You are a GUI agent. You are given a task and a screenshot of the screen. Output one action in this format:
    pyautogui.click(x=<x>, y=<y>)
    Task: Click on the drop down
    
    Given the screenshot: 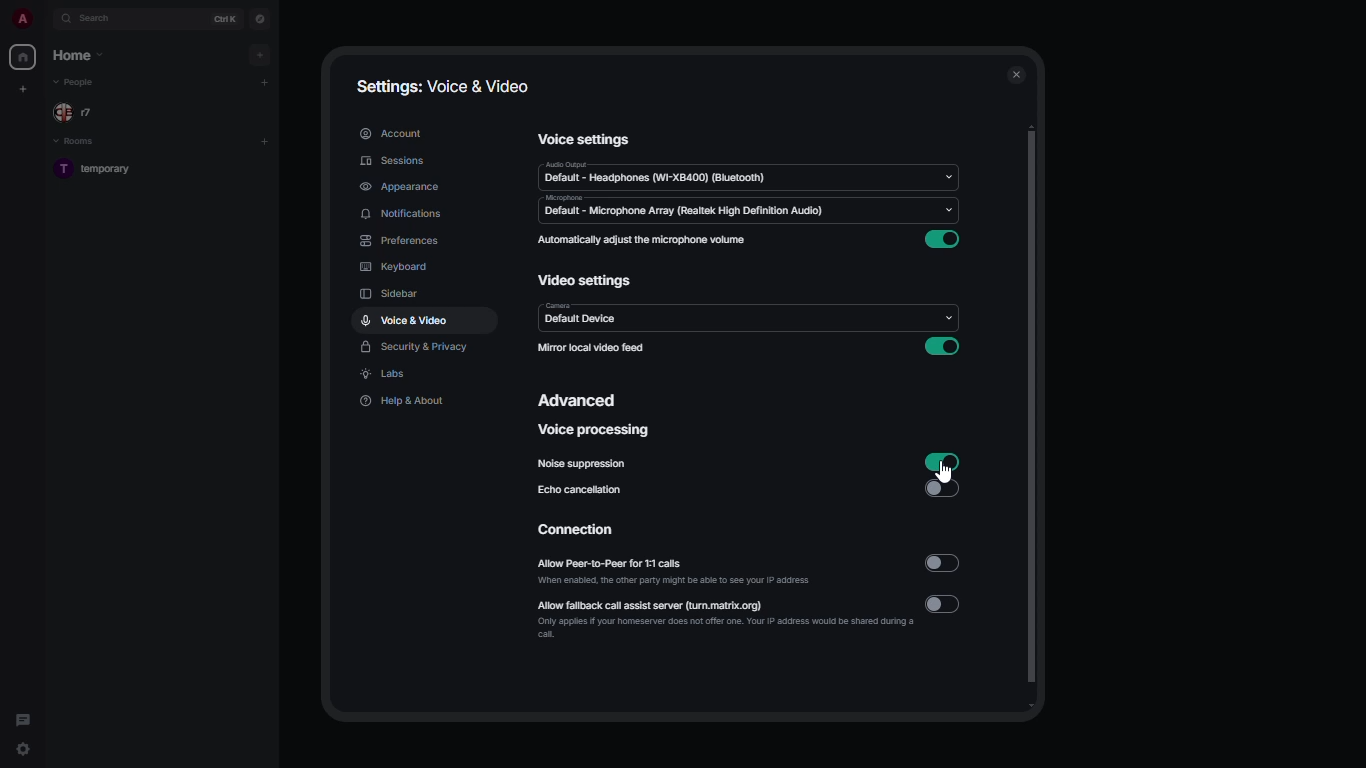 What is the action you would take?
    pyautogui.click(x=949, y=174)
    